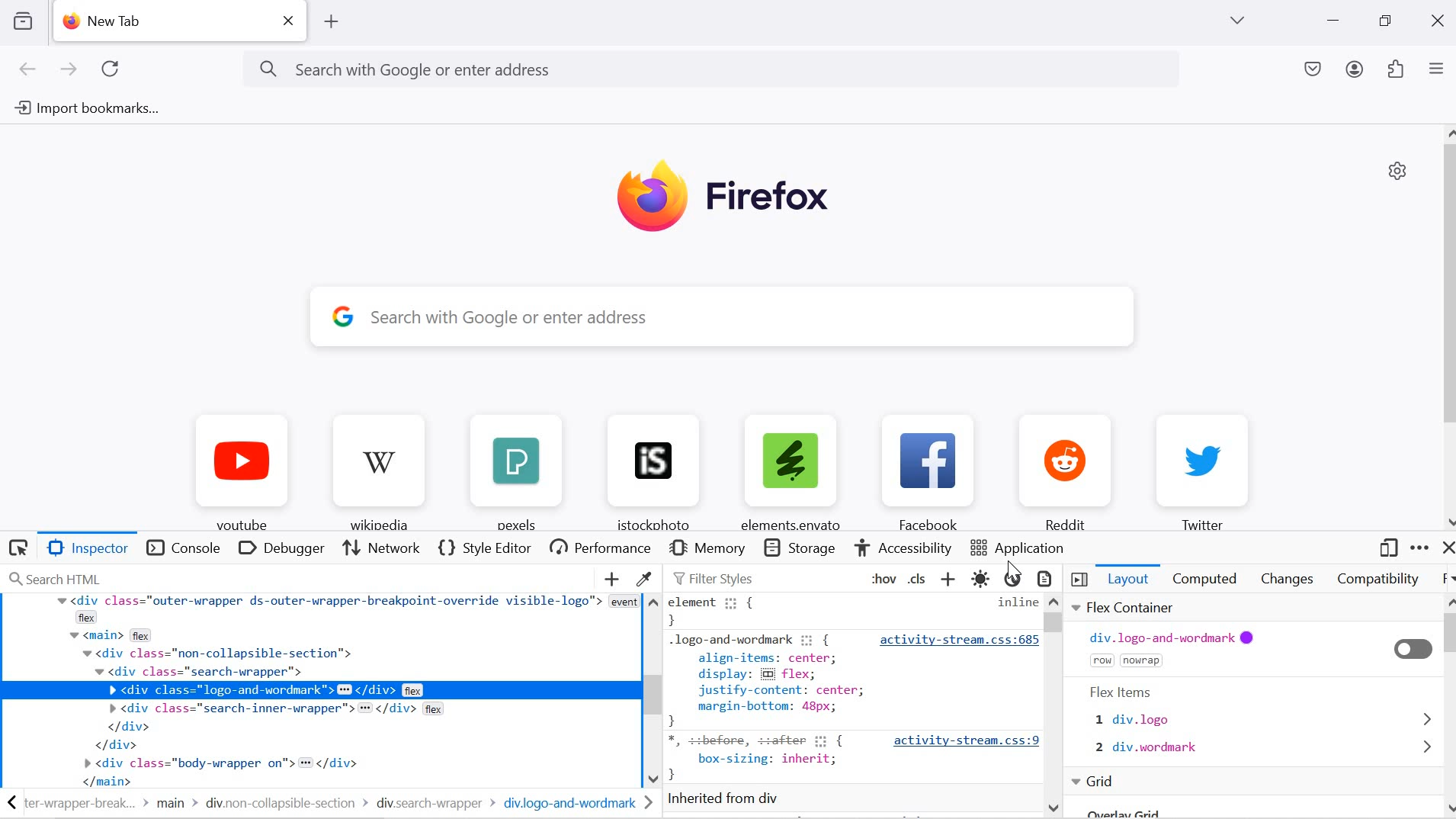 The image size is (1456, 819). What do you see at coordinates (184, 548) in the screenshot?
I see `console` at bounding box center [184, 548].